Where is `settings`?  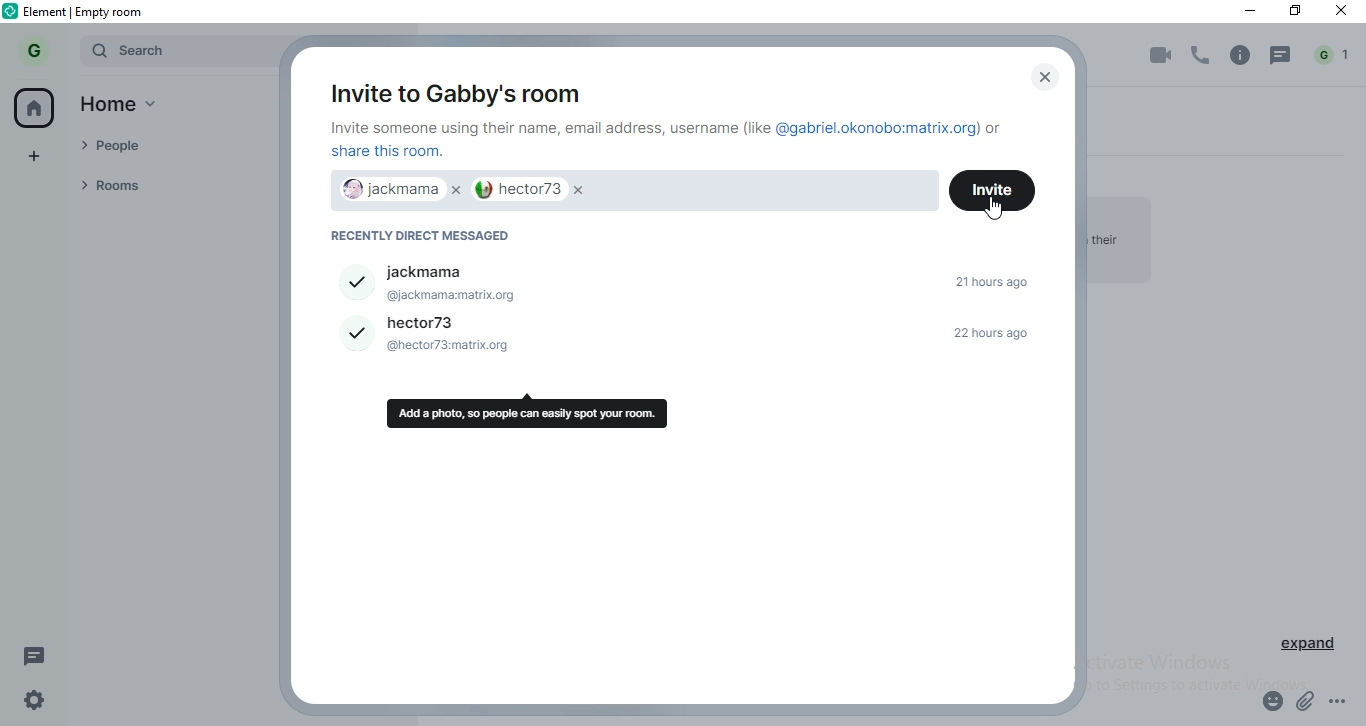
settings is located at coordinates (29, 704).